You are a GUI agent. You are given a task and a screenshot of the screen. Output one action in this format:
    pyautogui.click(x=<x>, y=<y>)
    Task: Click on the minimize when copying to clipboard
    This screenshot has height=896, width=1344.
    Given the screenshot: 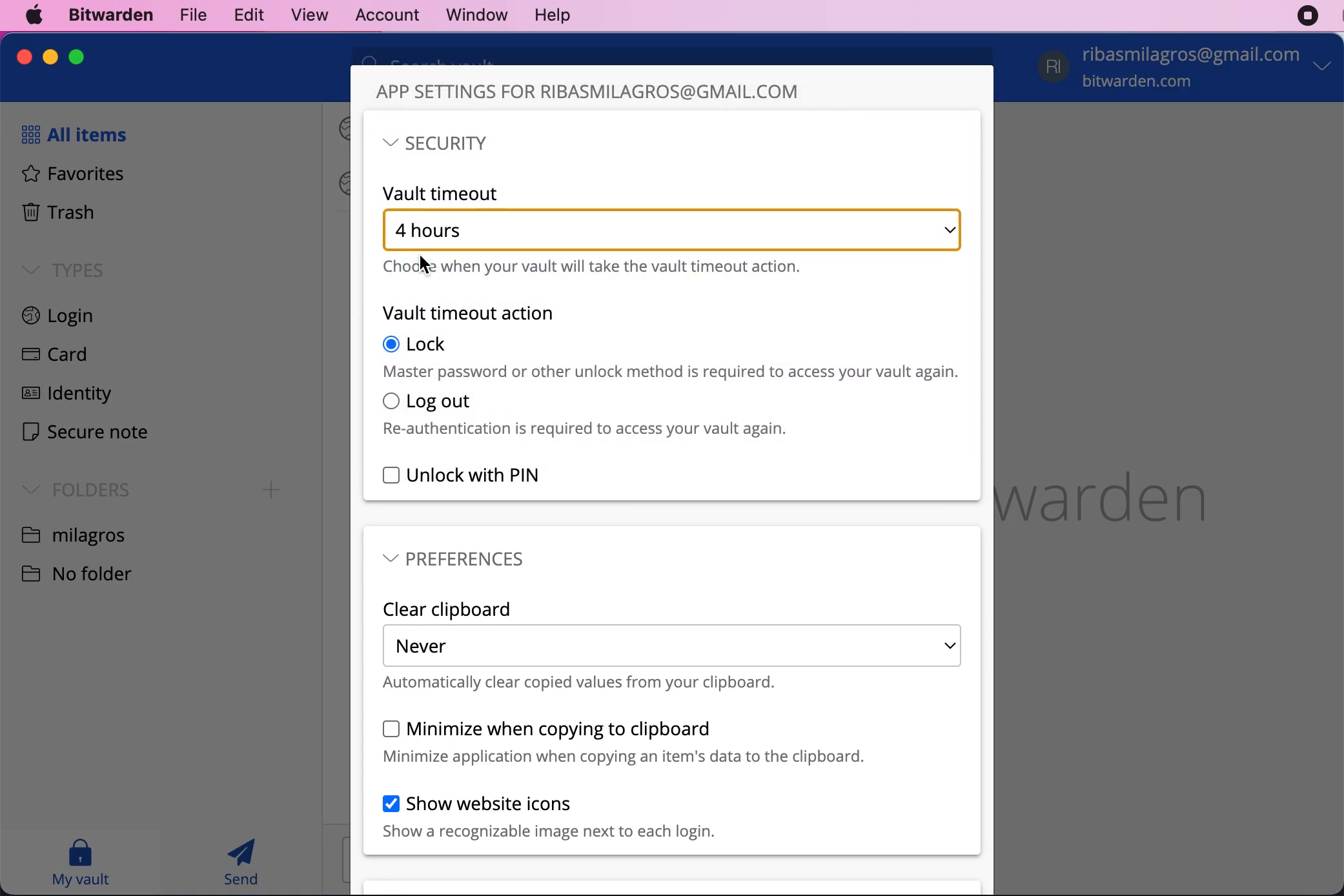 What is the action you would take?
    pyautogui.click(x=624, y=742)
    